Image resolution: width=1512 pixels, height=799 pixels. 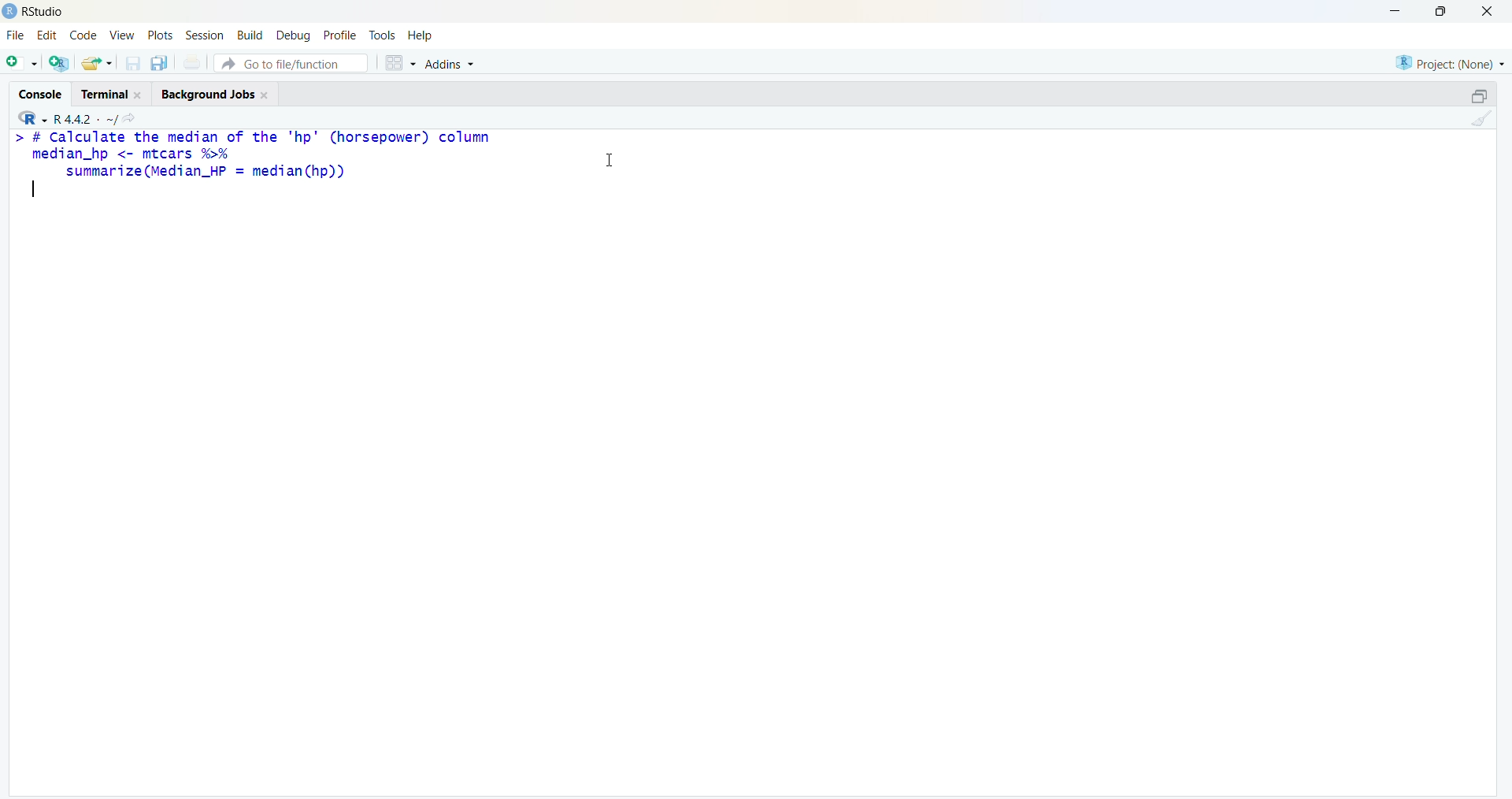 I want to click on save, so click(x=135, y=63).